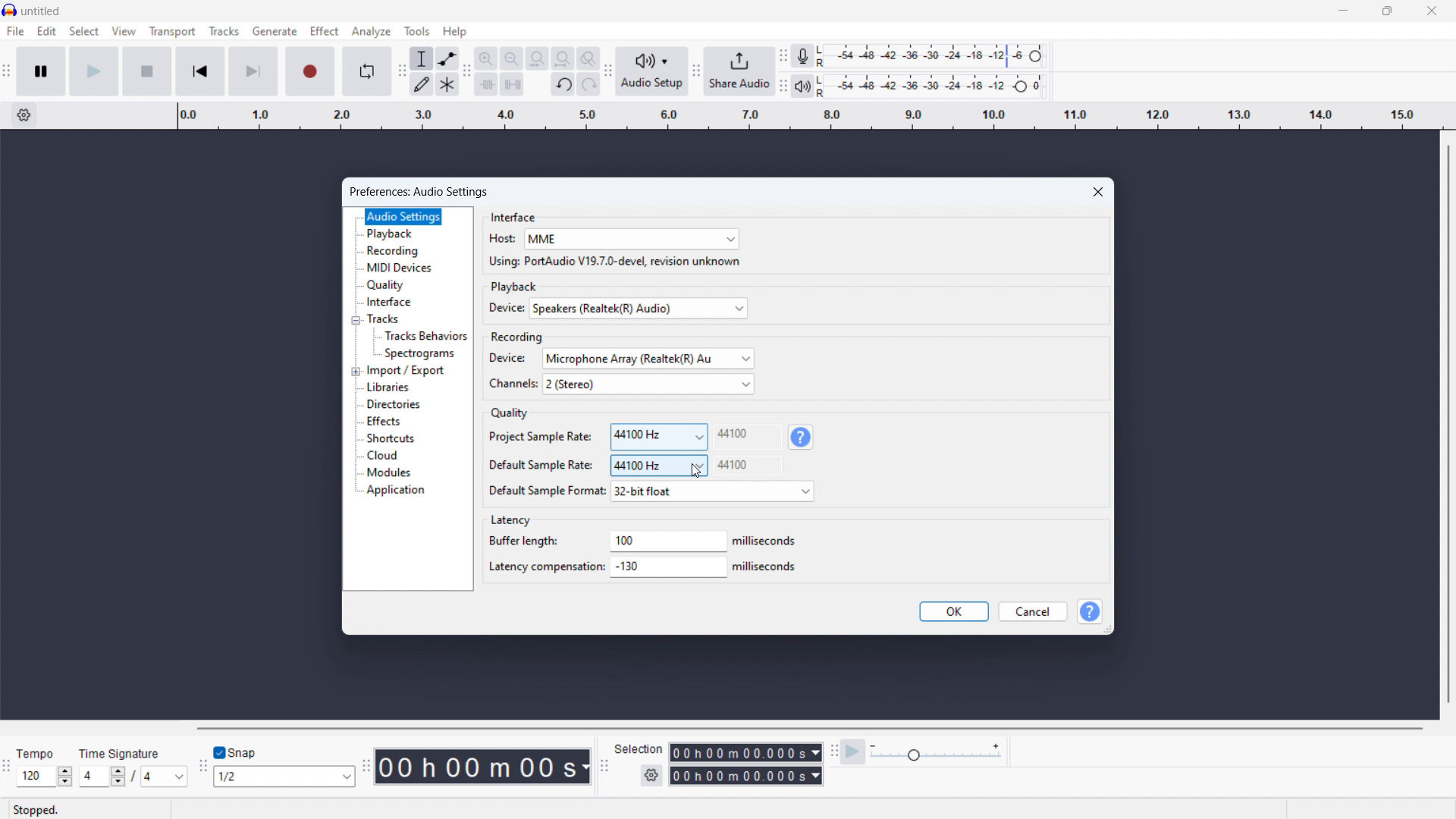 Image resolution: width=1456 pixels, height=819 pixels. Describe the element at coordinates (36, 754) in the screenshot. I see `Tempo` at that location.